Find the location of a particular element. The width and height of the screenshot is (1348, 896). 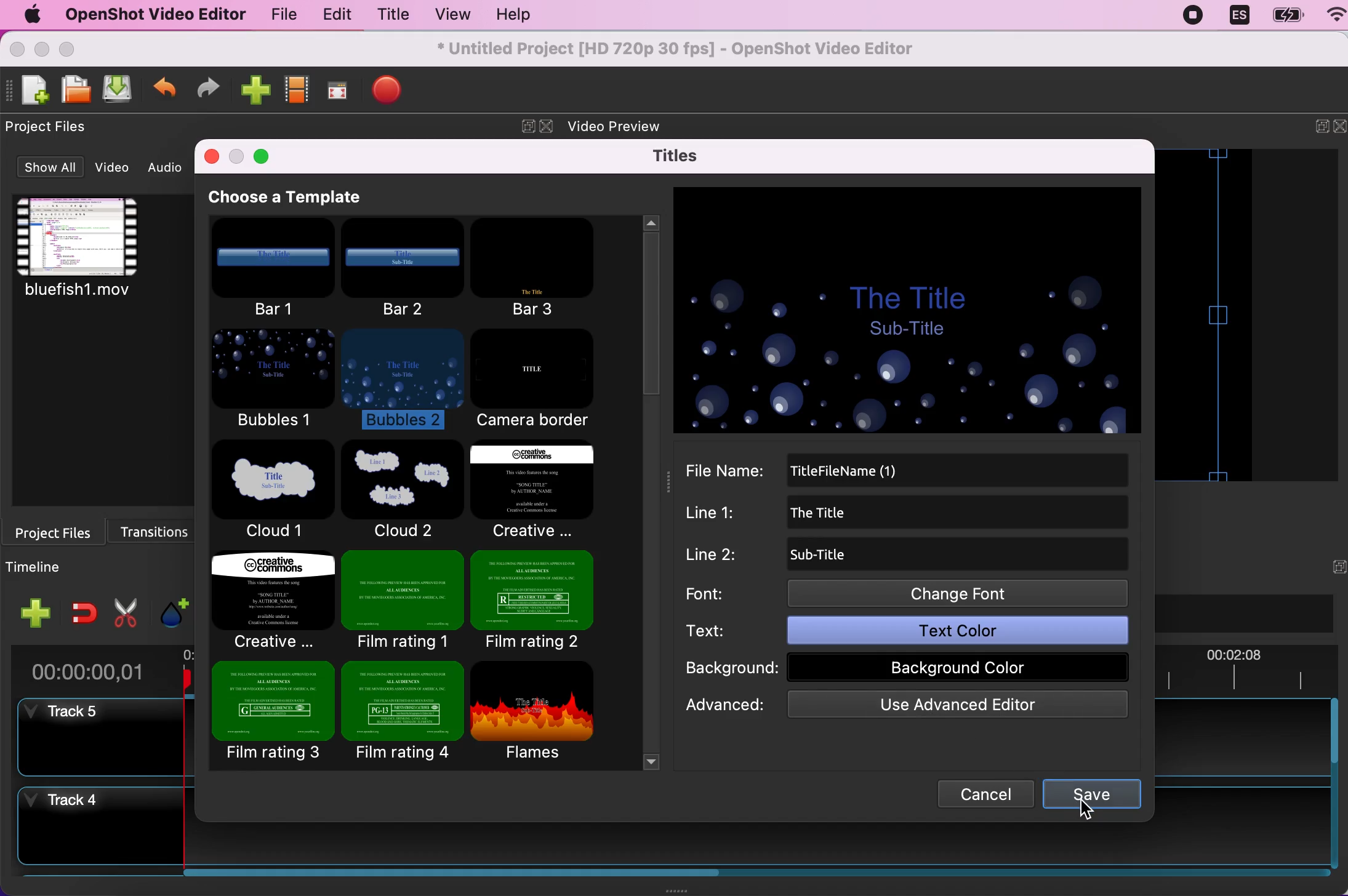

cursor on save is located at coordinates (1087, 812).